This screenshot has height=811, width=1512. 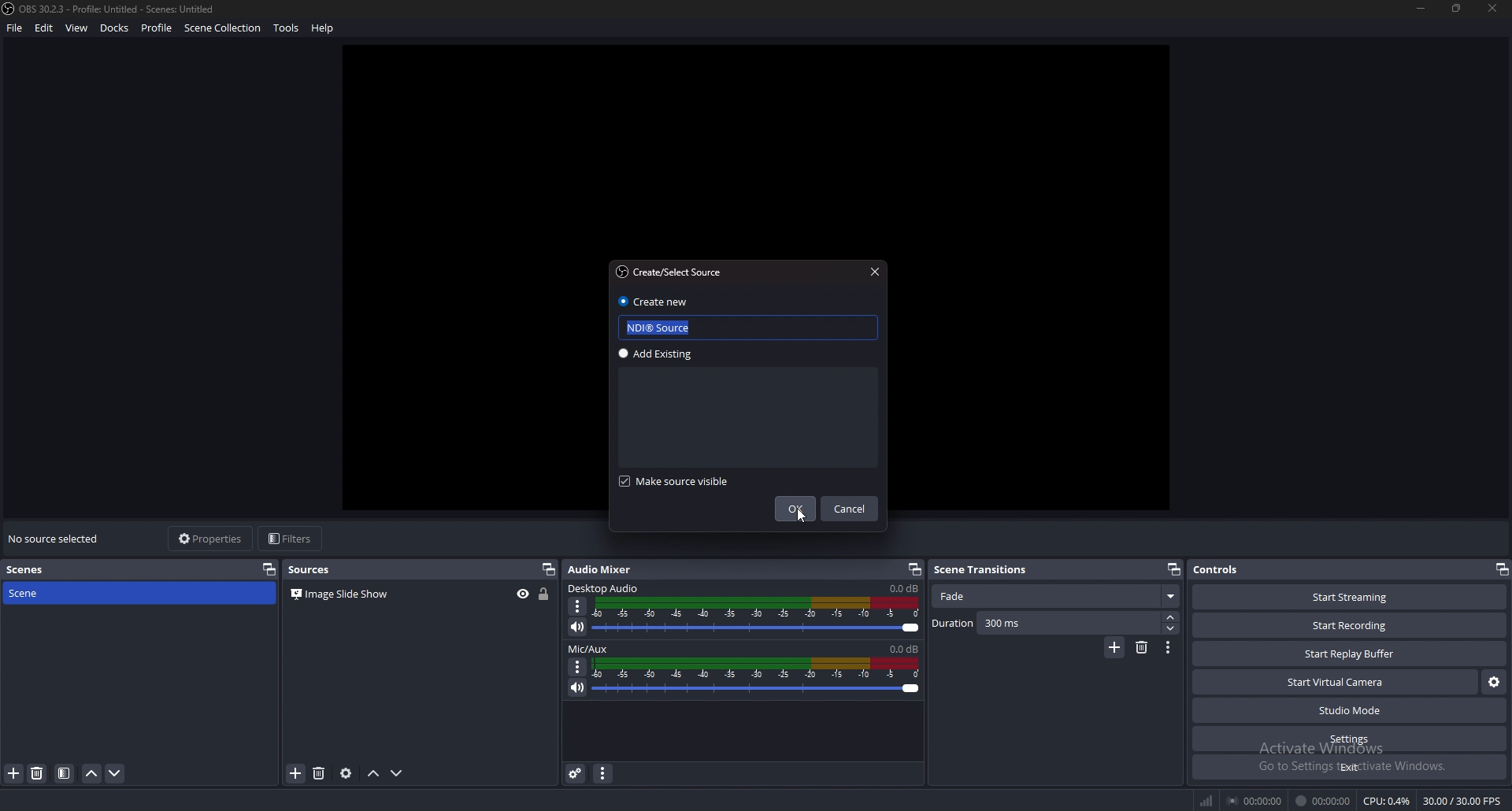 What do you see at coordinates (1046, 622) in the screenshot?
I see `duration` at bounding box center [1046, 622].